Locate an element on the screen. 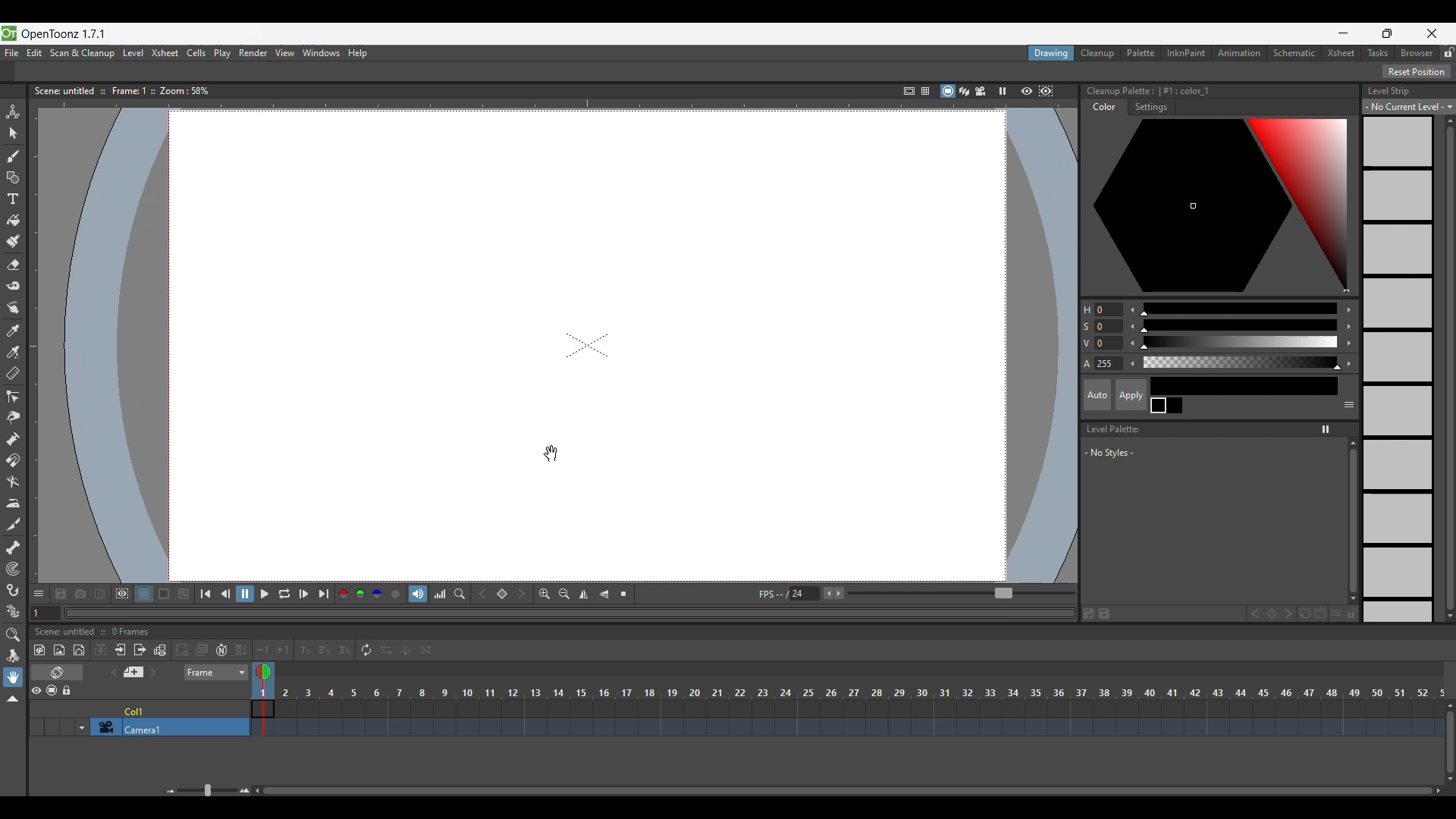  Toggle Xsheet/Timeline is located at coordinates (57, 673).